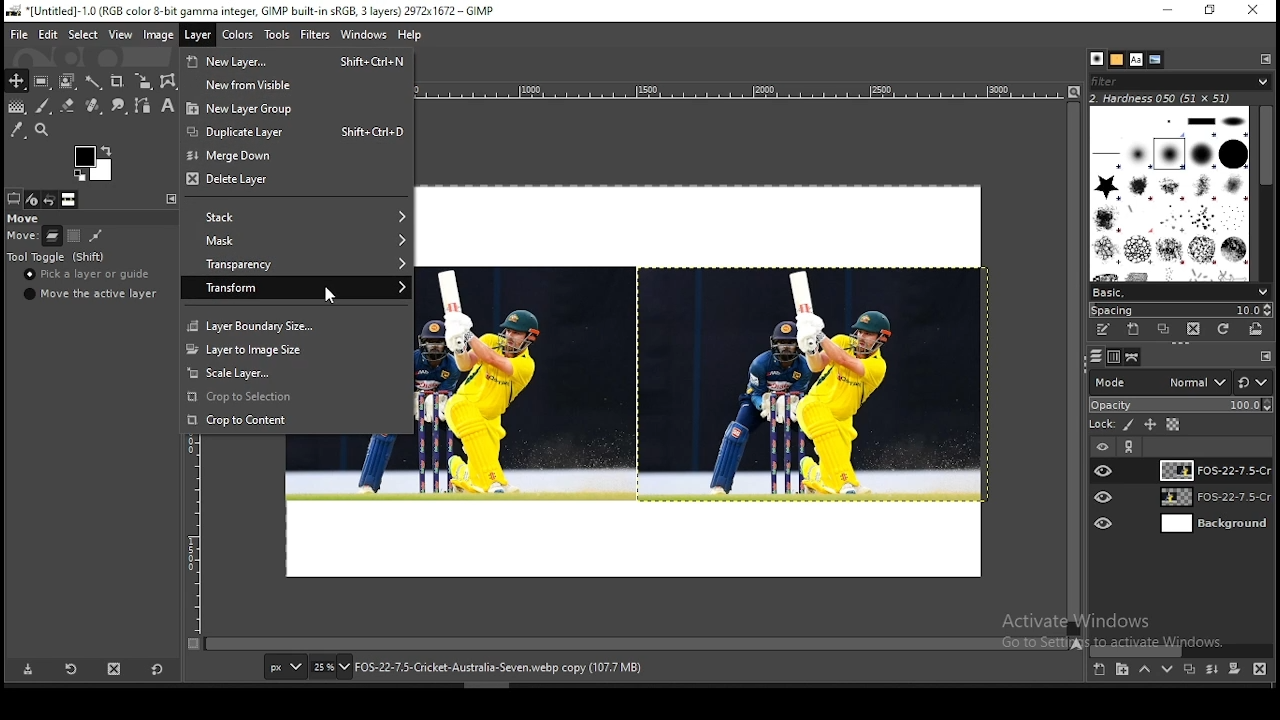 This screenshot has height=720, width=1280. What do you see at coordinates (96, 80) in the screenshot?
I see `fuzzy select tool` at bounding box center [96, 80].